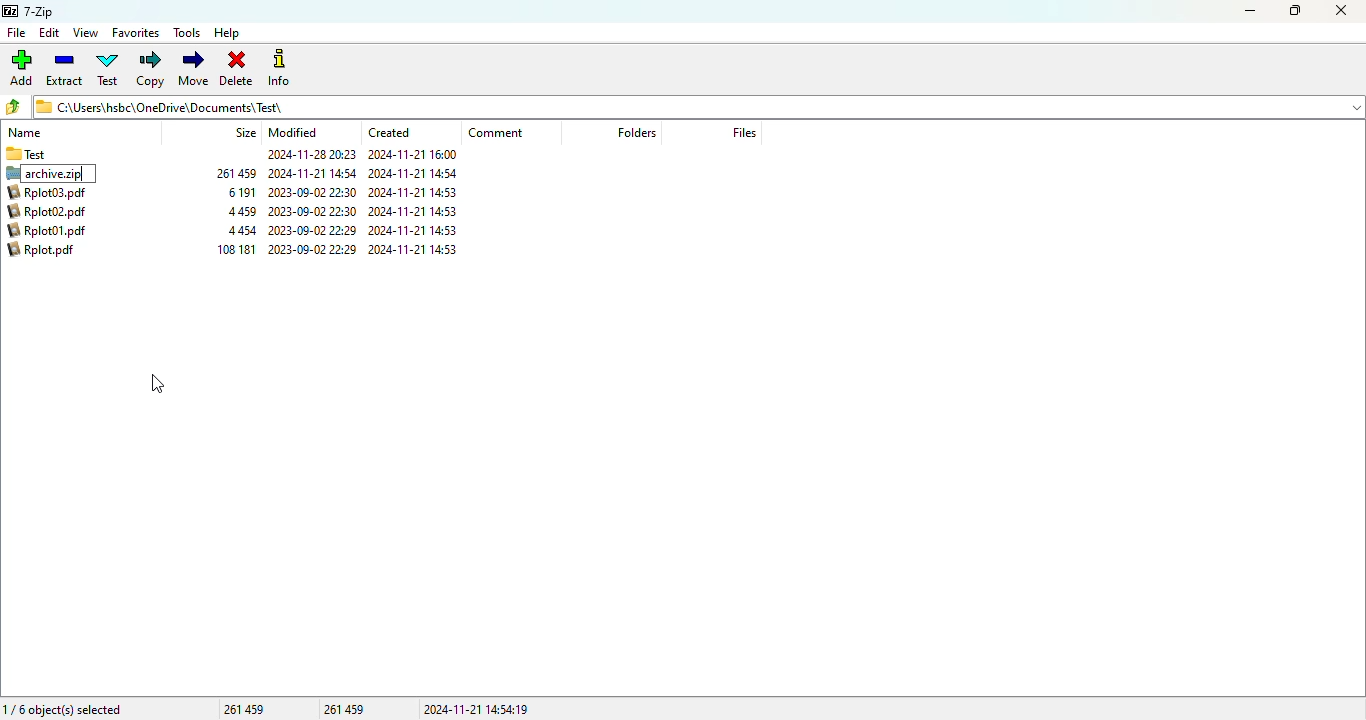 The image size is (1366, 720). Describe the element at coordinates (635, 132) in the screenshot. I see `folders` at that location.